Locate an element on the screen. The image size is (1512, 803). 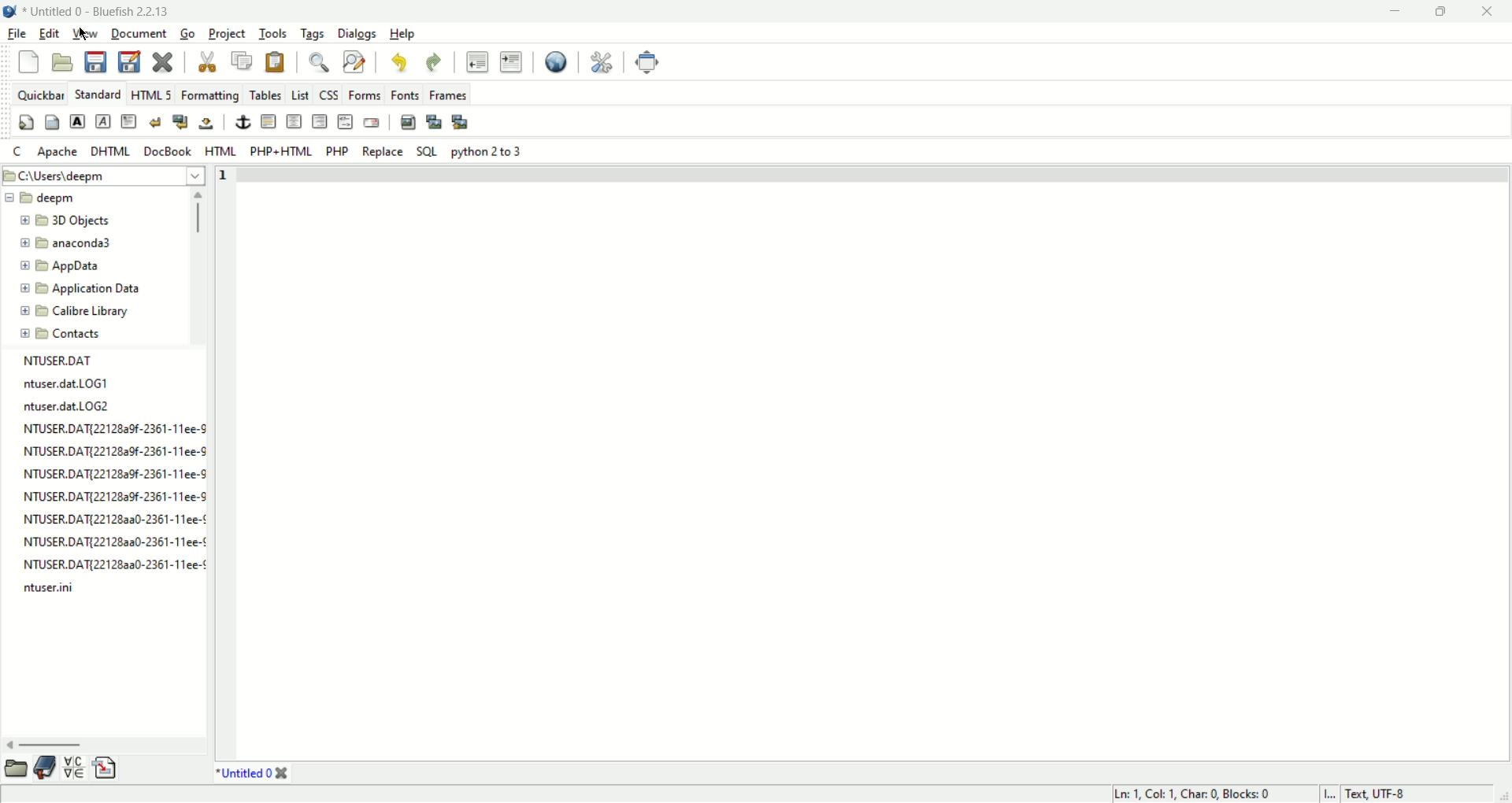
calibre is located at coordinates (76, 313).